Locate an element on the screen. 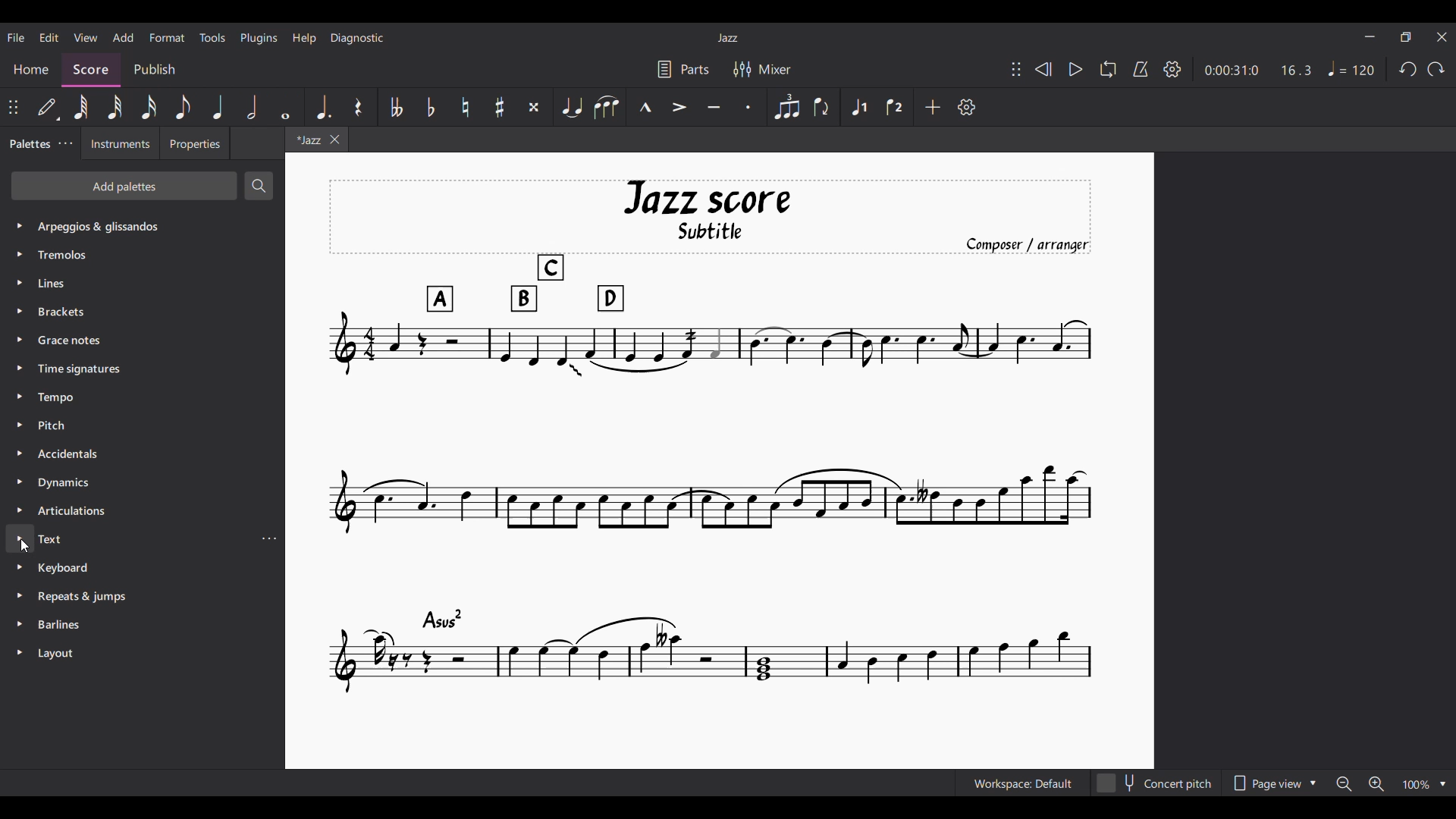  Half note is located at coordinates (253, 107).